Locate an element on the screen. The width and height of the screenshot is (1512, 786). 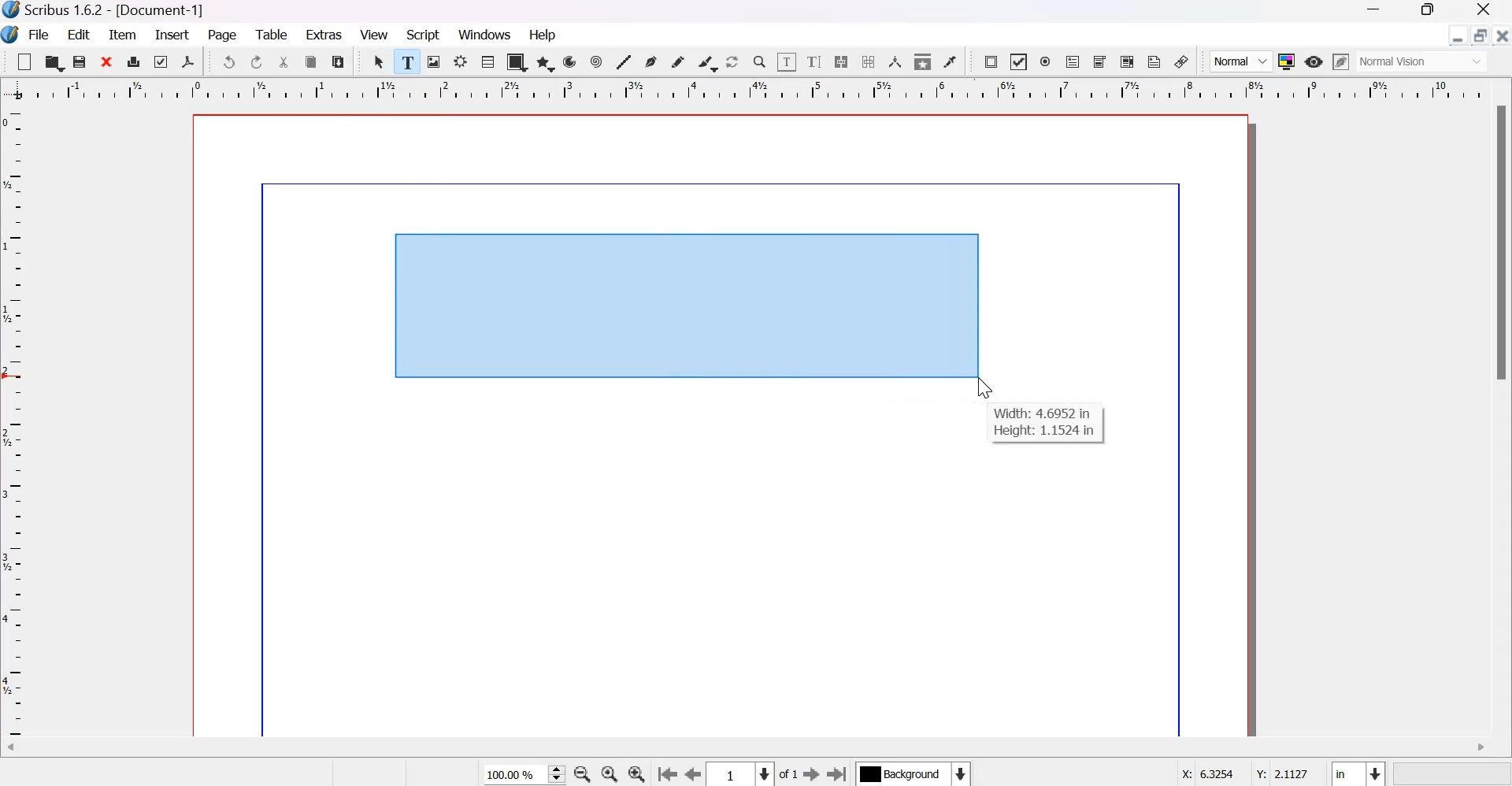
Eye dropper is located at coordinates (950, 61).